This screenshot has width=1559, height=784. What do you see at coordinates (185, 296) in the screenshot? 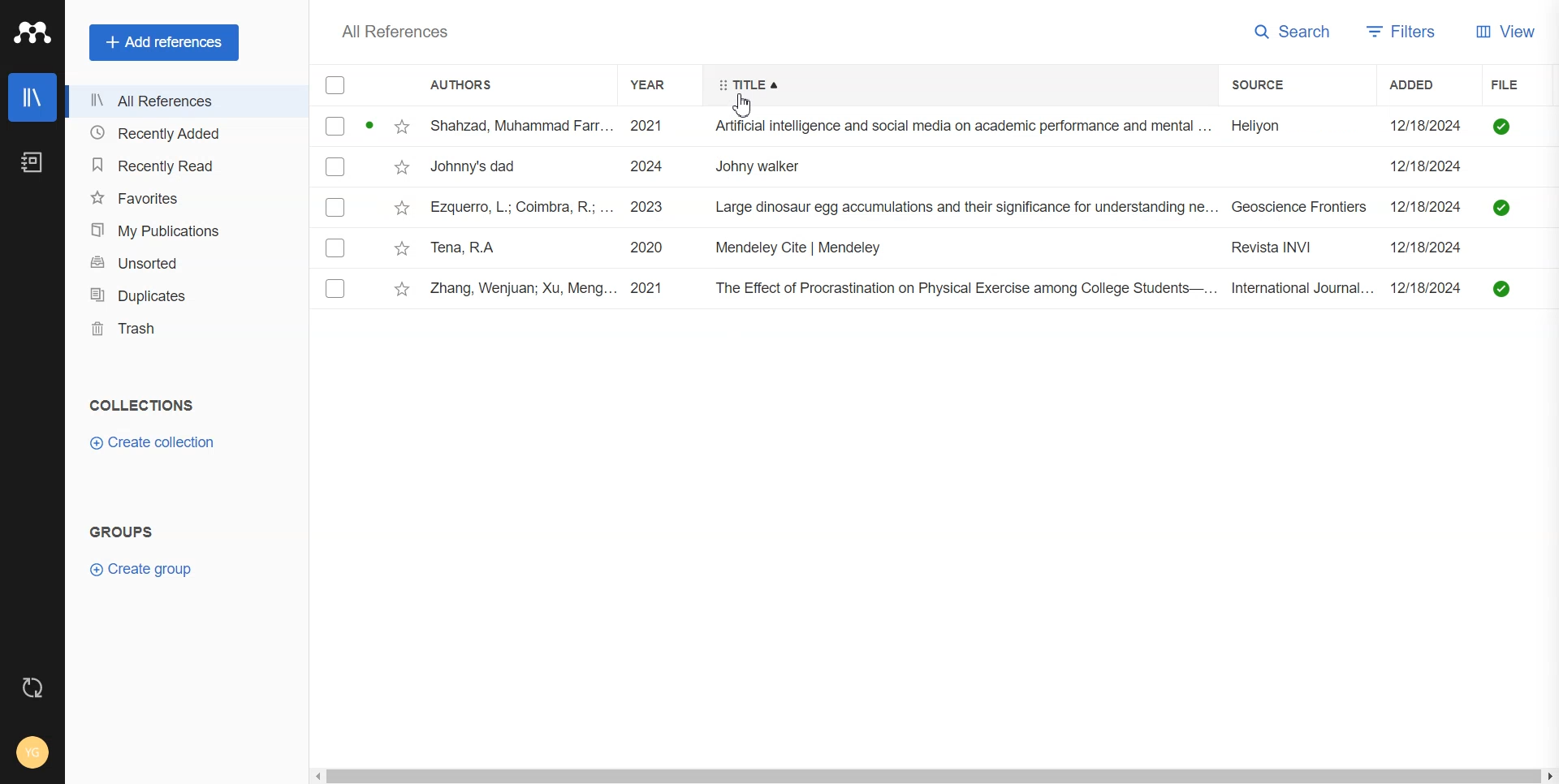
I see `Duplicates` at bounding box center [185, 296].